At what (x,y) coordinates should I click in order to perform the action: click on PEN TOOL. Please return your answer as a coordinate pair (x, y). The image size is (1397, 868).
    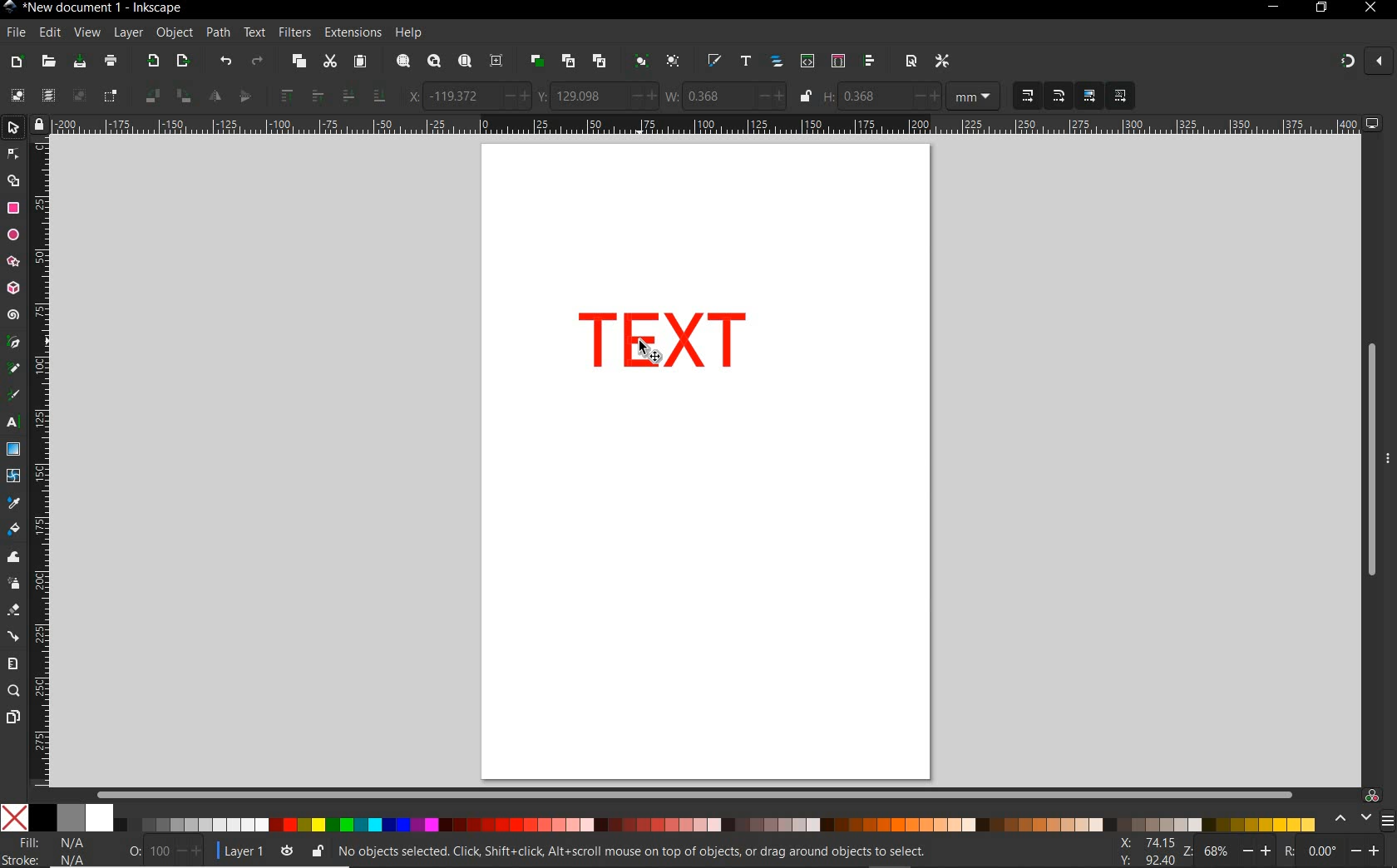
    Looking at the image, I should click on (14, 343).